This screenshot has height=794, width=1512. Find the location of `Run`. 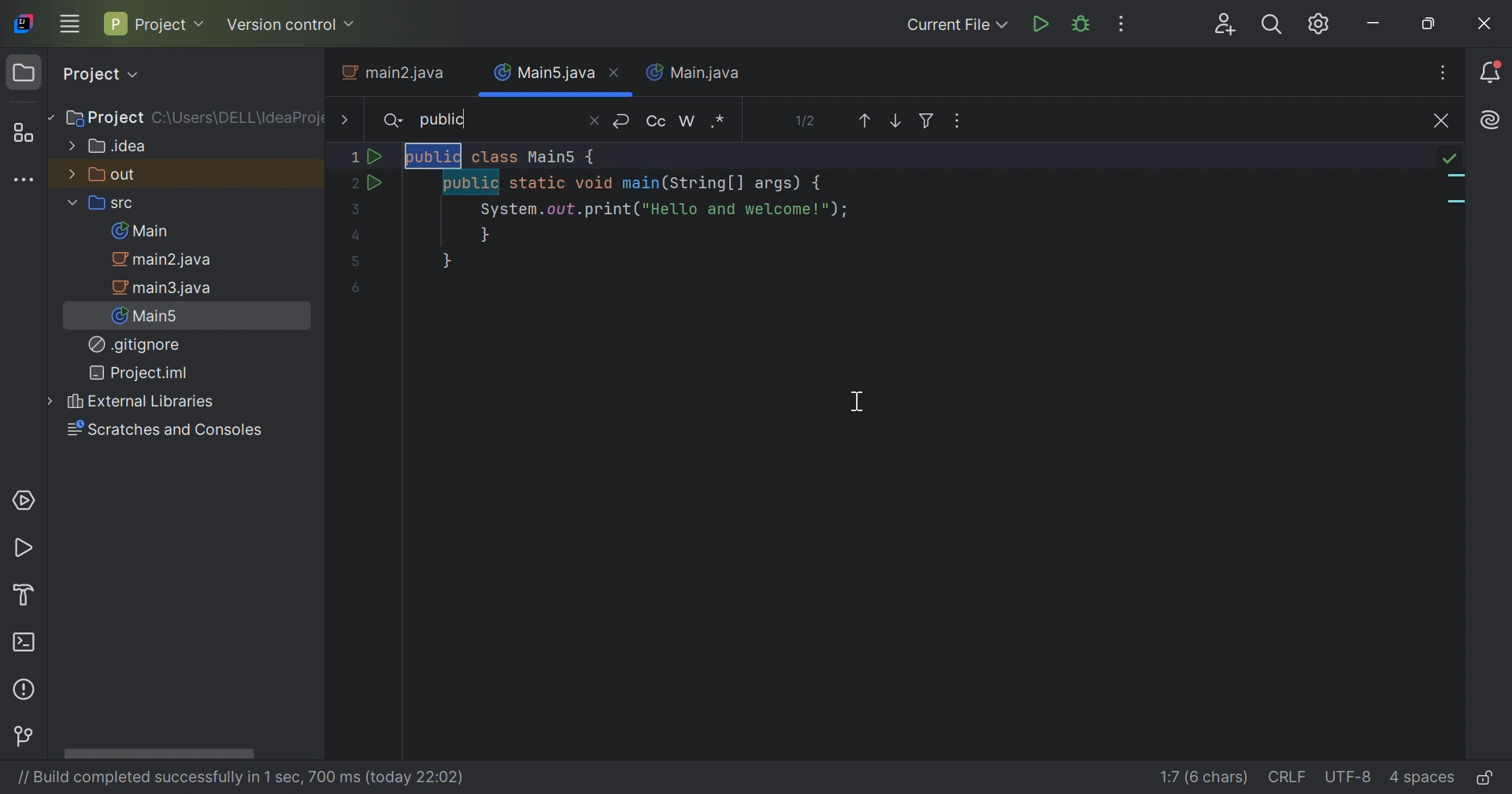

Run is located at coordinates (27, 550).